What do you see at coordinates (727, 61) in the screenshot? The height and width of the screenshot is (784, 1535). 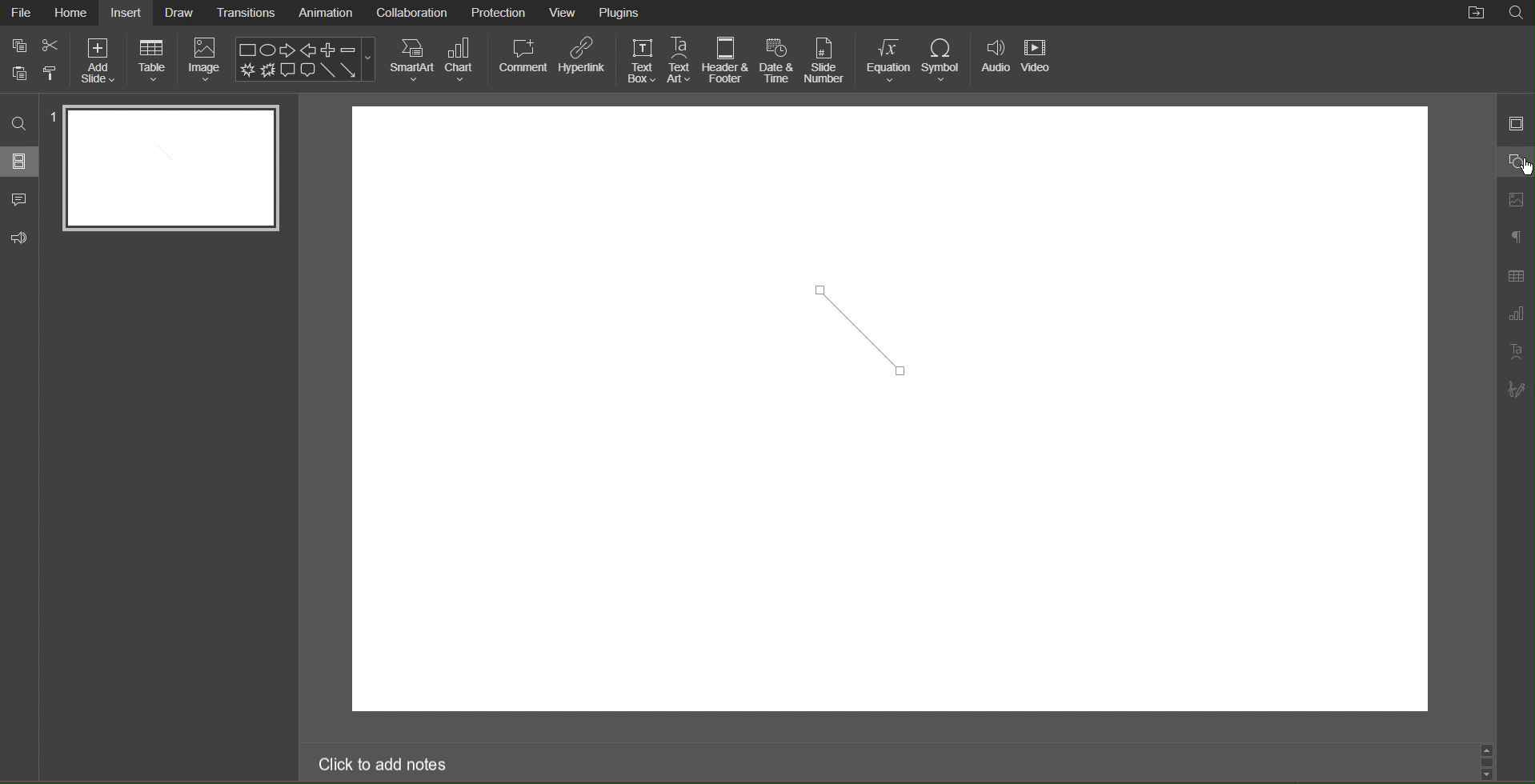 I see `Header & Footer` at bounding box center [727, 61].